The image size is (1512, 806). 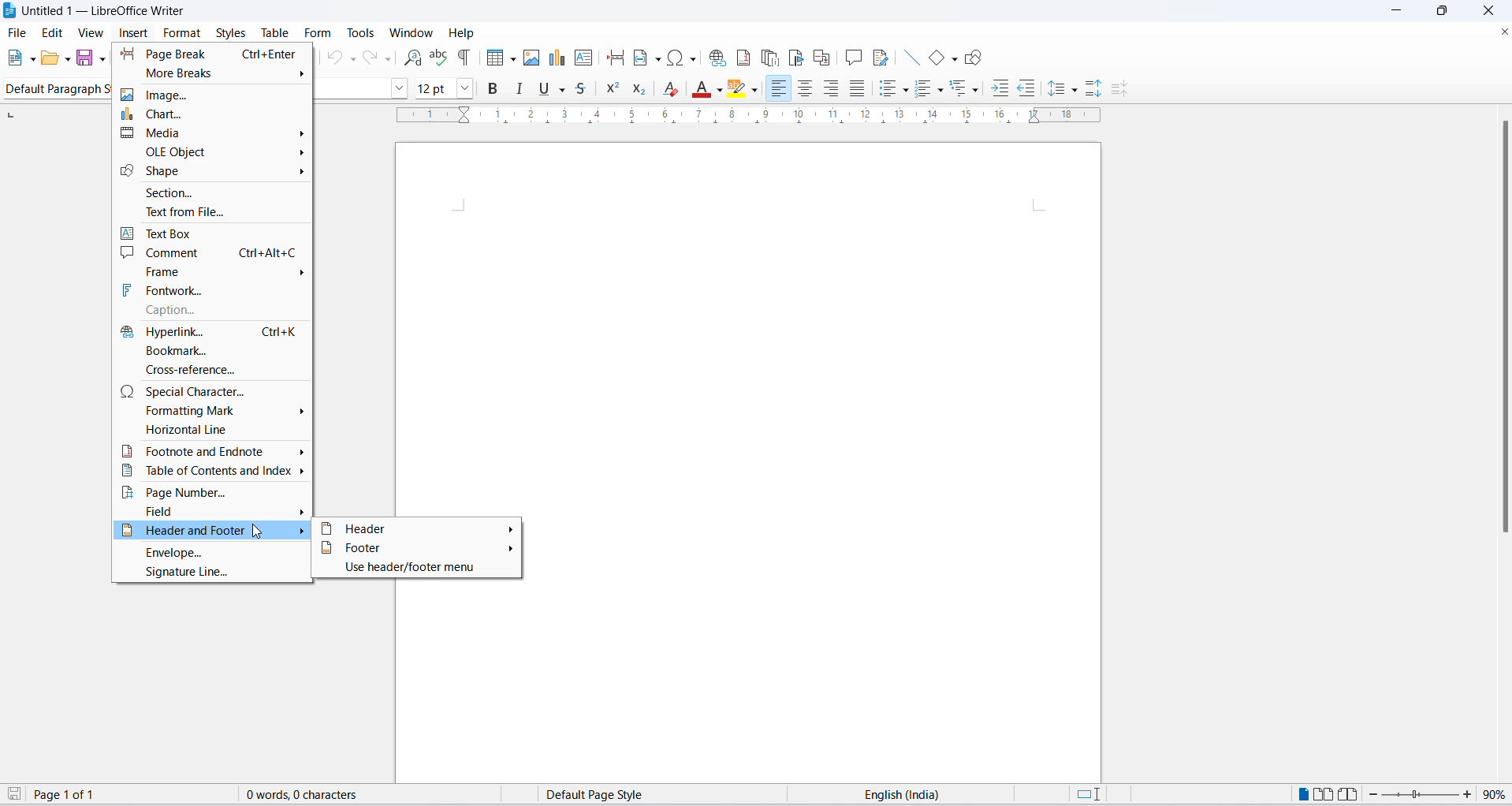 I want to click on show track changes functions, so click(x=879, y=57).